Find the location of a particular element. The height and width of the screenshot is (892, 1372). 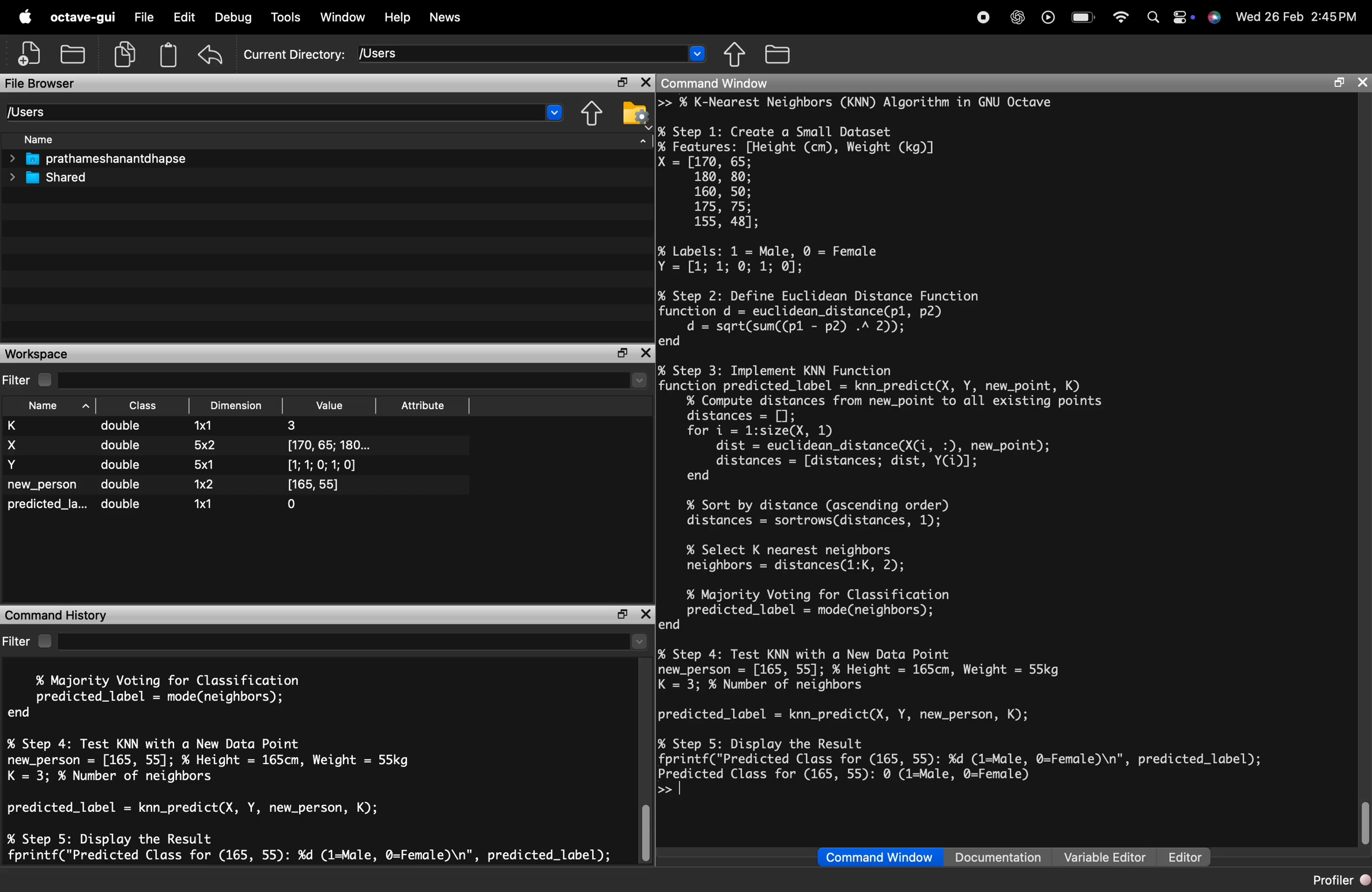

search is located at coordinates (1148, 18).